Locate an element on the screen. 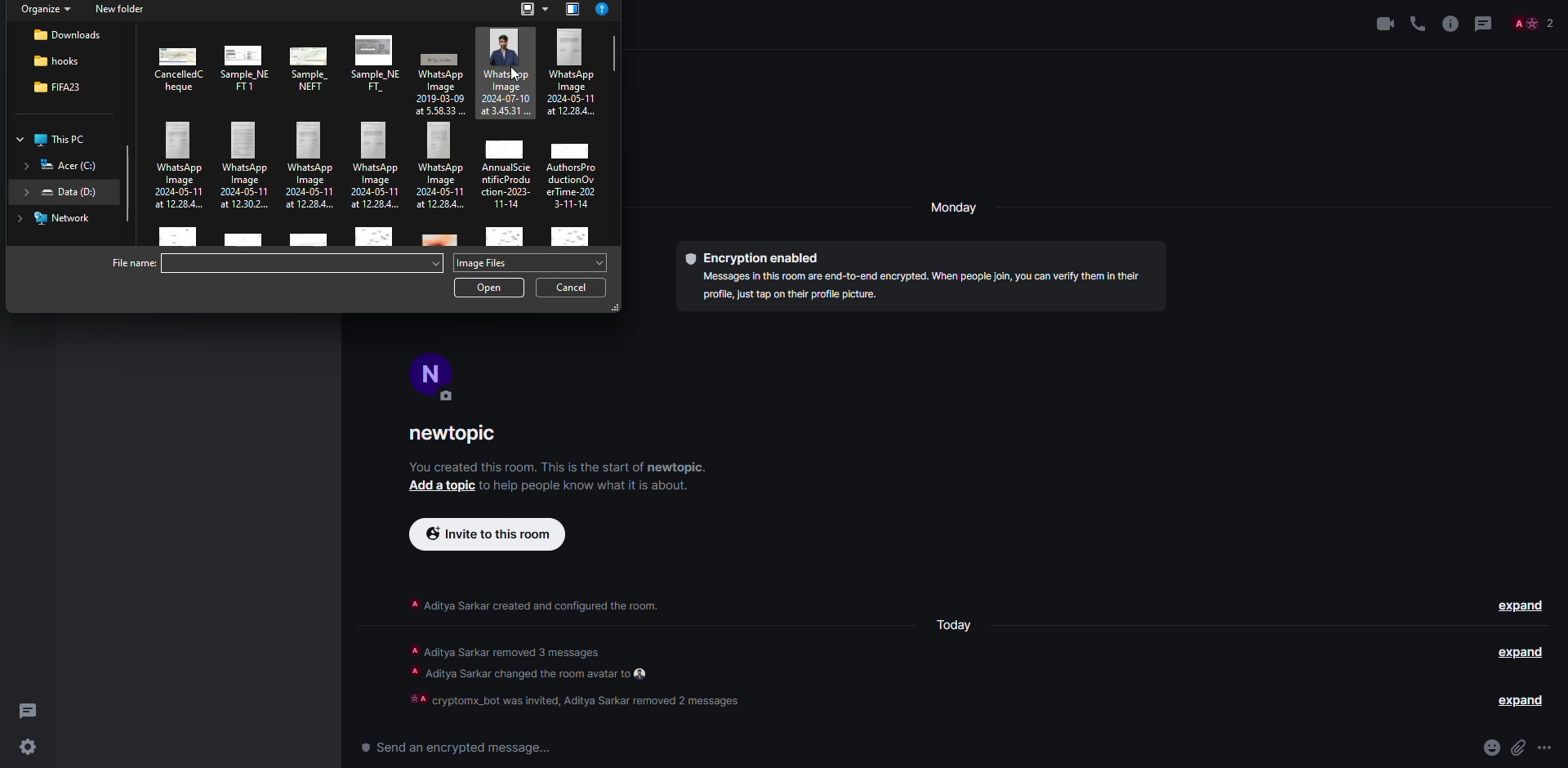 This screenshot has height=768, width=1568. click to select is located at coordinates (314, 164).